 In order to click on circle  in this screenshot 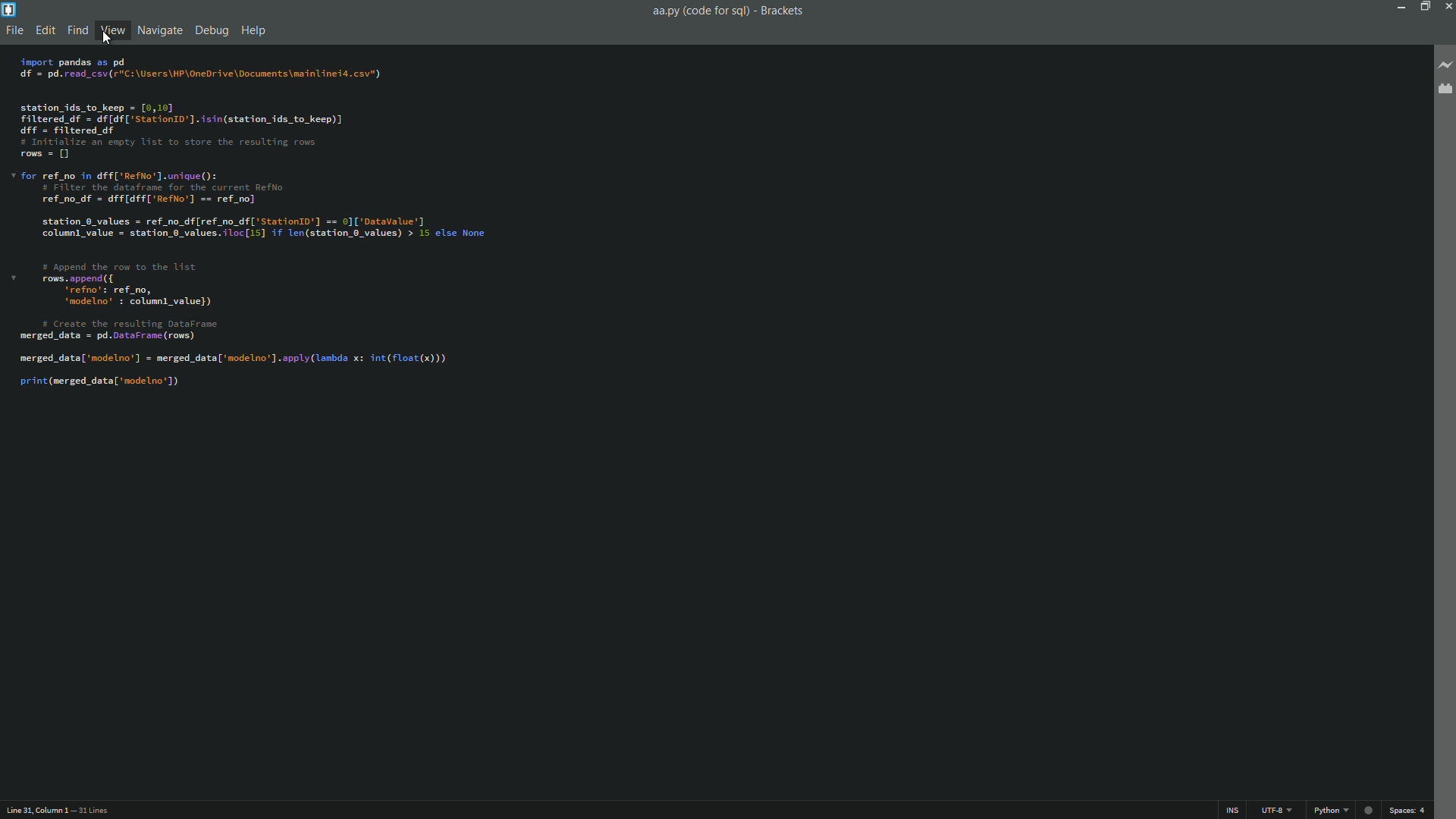, I will do `click(1368, 811)`.